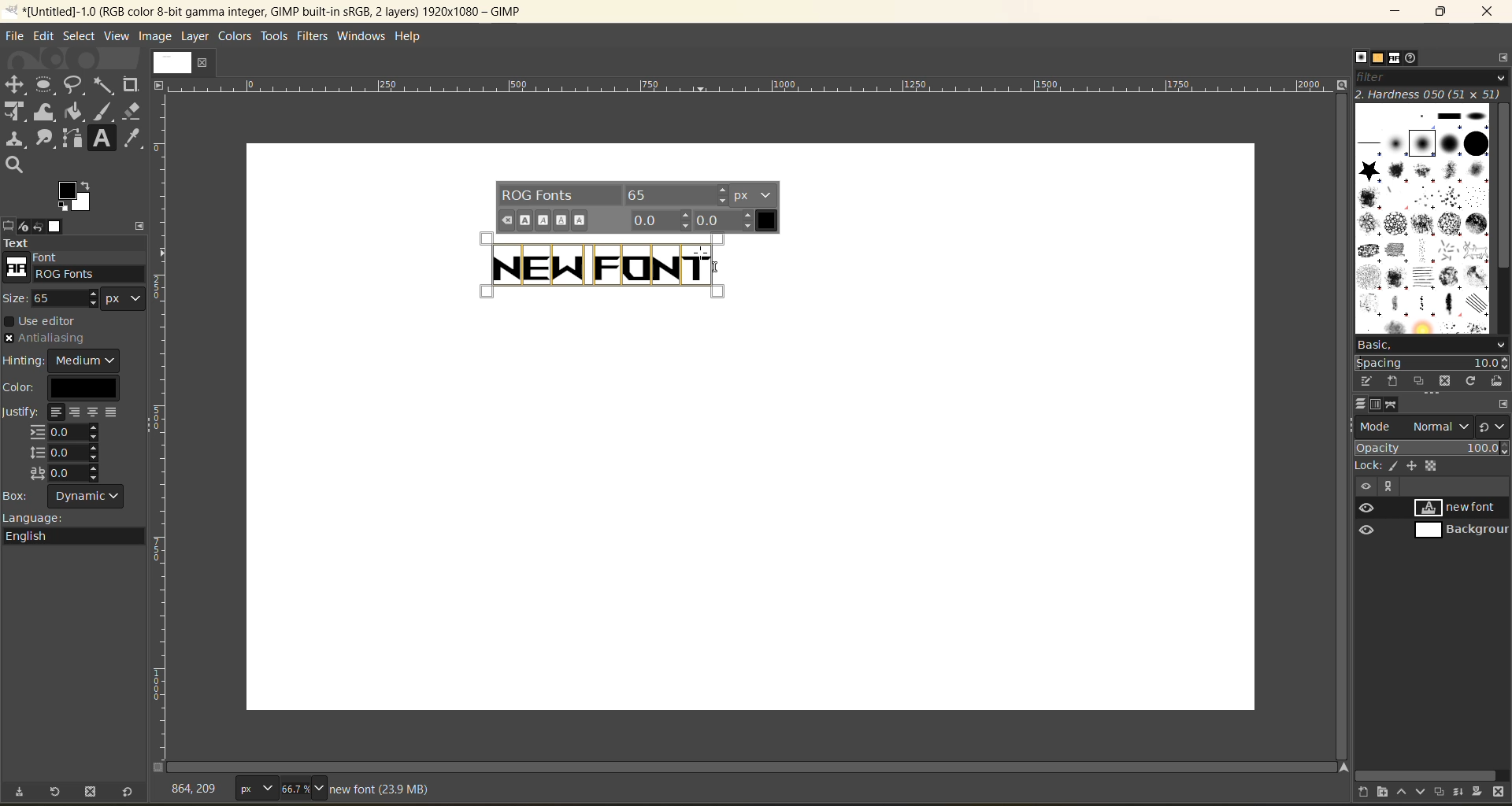 This screenshot has width=1512, height=806. What do you see at coordinates (140, 224) in the screenshot?
I see `configure` at bounding box center [140, 224].